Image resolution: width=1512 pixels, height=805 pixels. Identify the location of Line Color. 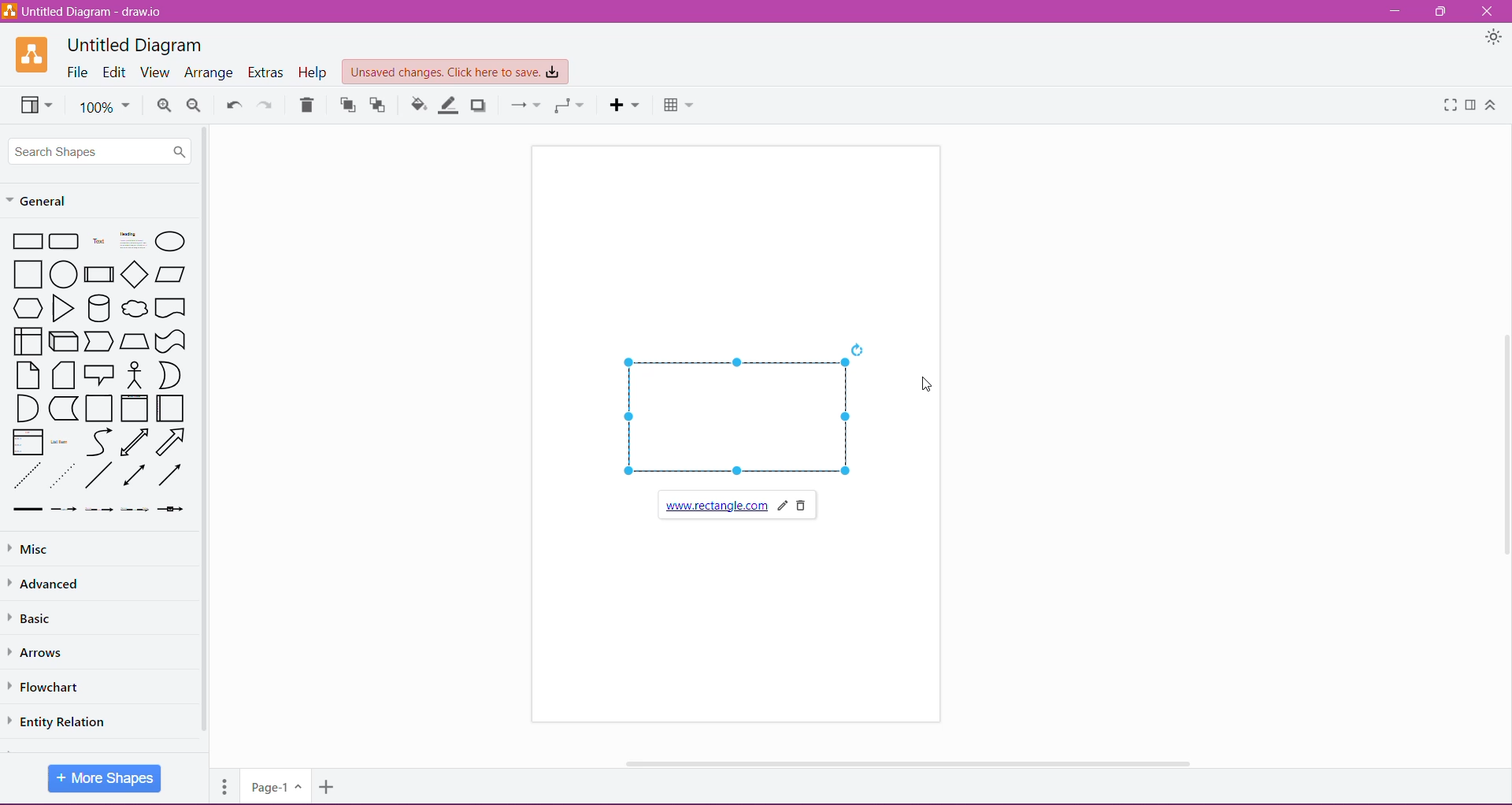
(450, 106).